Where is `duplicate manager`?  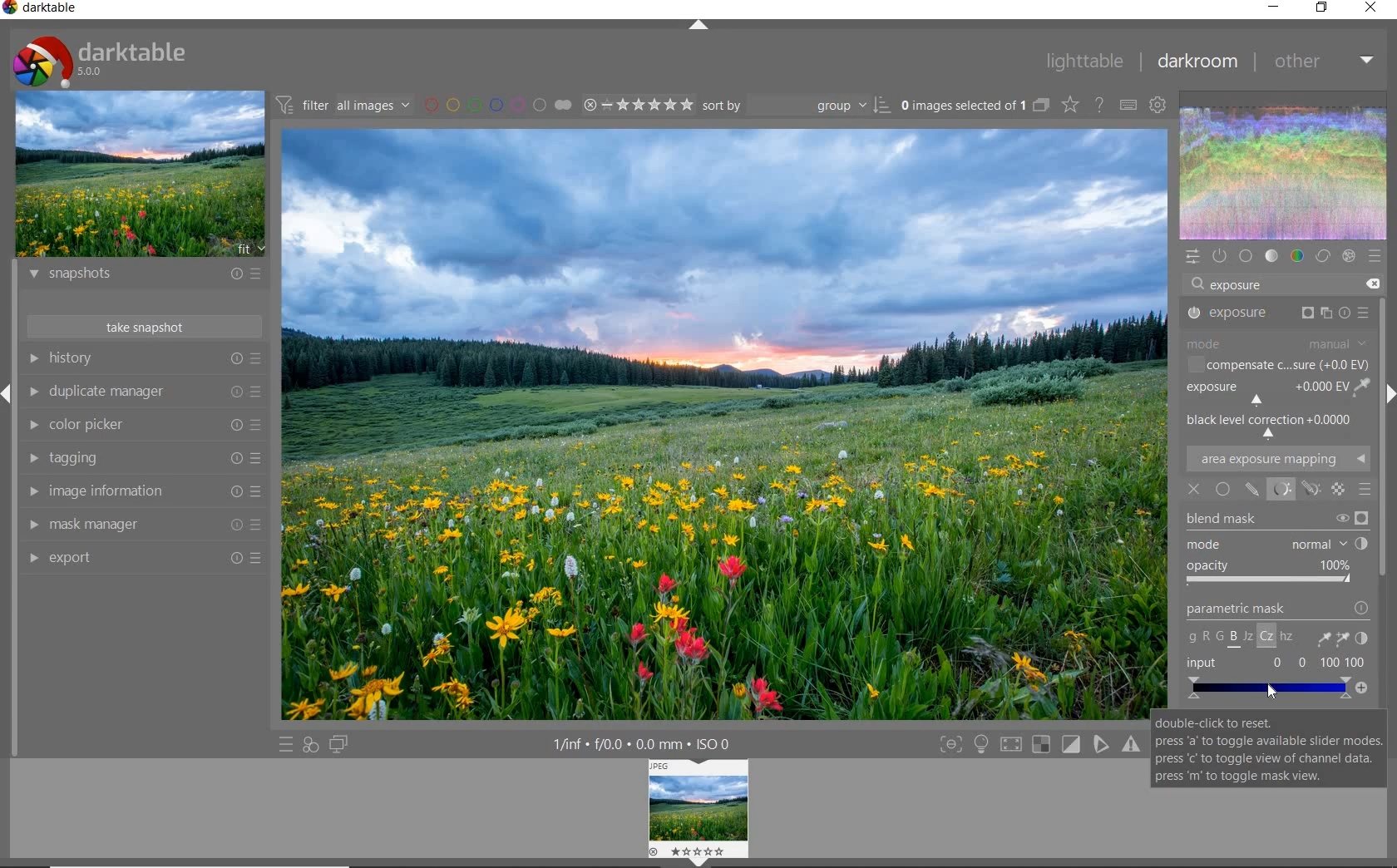 duplicate manager is located at coordinates (146, 394).